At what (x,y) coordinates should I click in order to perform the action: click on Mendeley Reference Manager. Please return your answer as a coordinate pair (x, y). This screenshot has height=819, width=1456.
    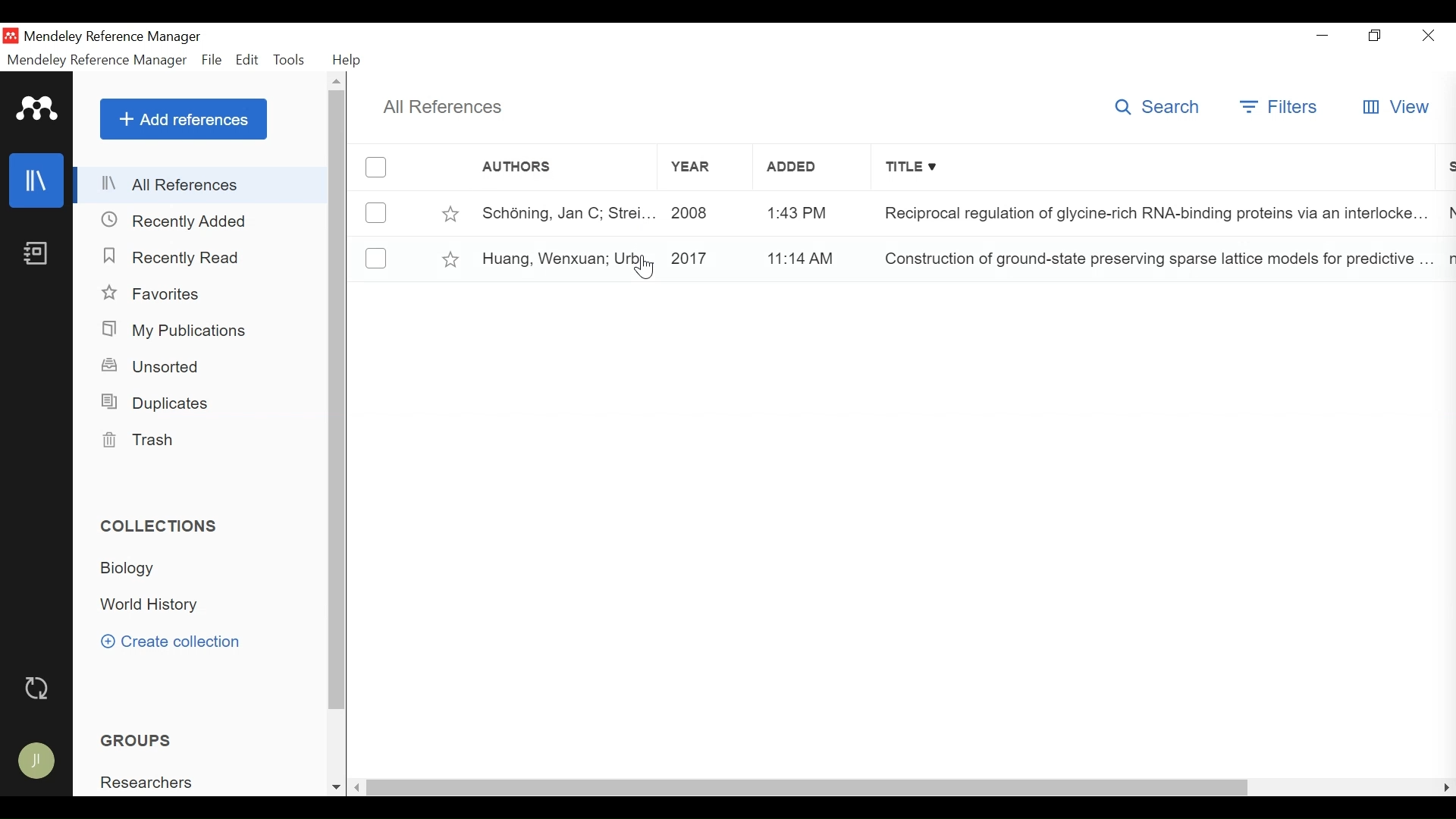
    Looking at the image, I should click on (116, 36).